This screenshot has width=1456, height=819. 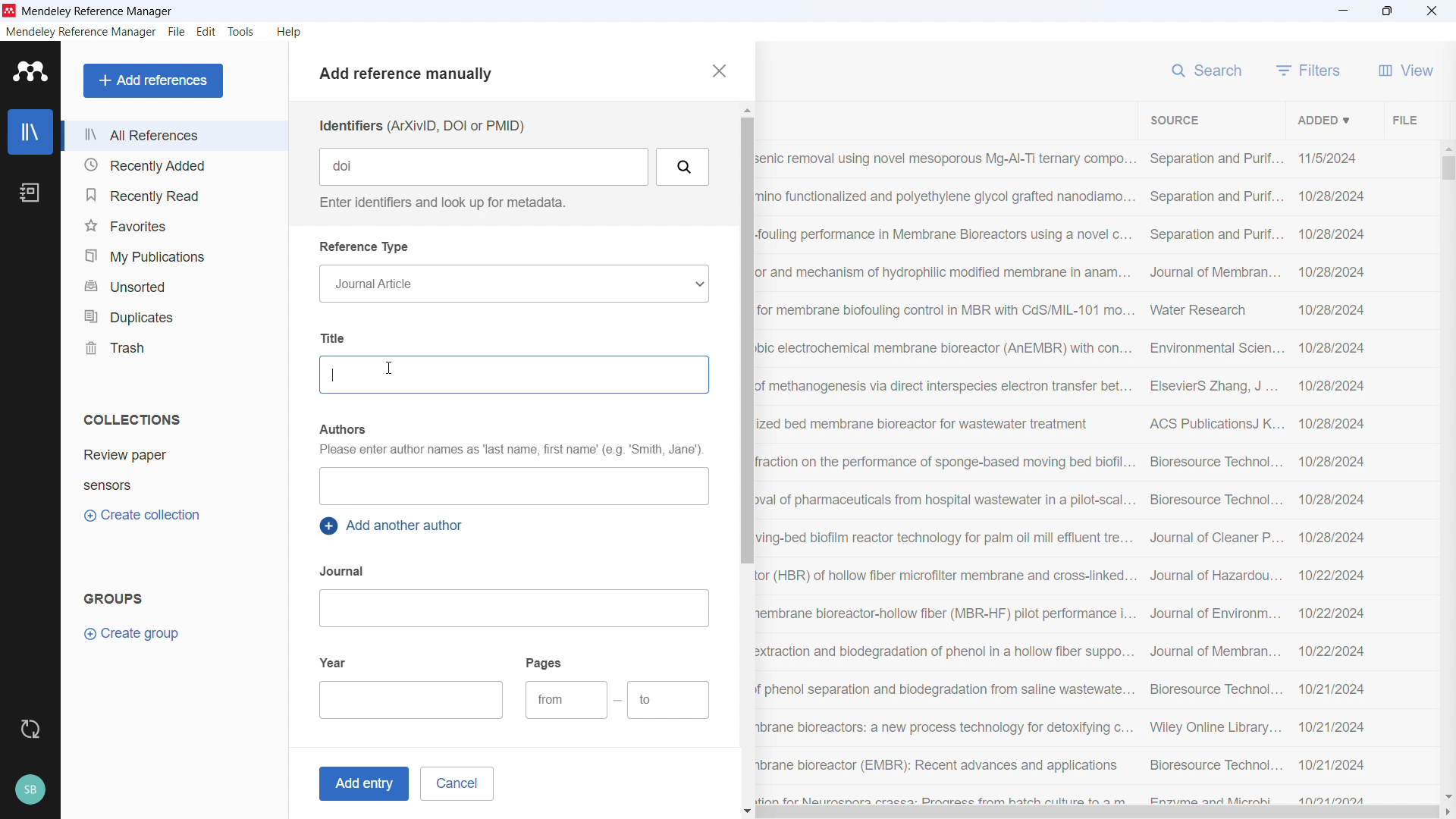 I want to click on Sync , so click(x=30, y=730).